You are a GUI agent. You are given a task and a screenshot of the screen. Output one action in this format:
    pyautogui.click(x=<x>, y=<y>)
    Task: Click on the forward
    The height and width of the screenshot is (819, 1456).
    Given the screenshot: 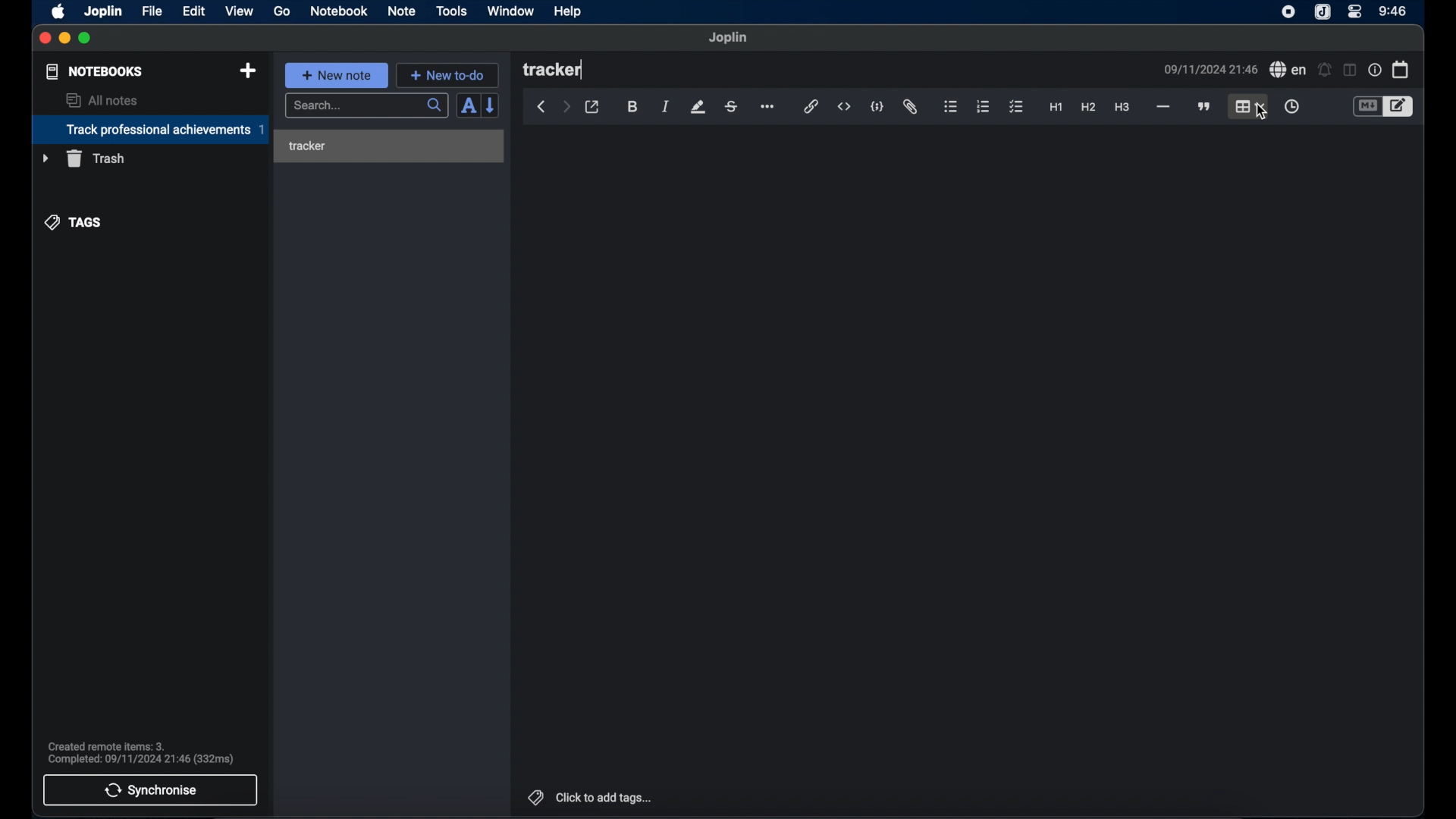 What is the action you would take?
    pyautogui.click(x=566, y=108)
    